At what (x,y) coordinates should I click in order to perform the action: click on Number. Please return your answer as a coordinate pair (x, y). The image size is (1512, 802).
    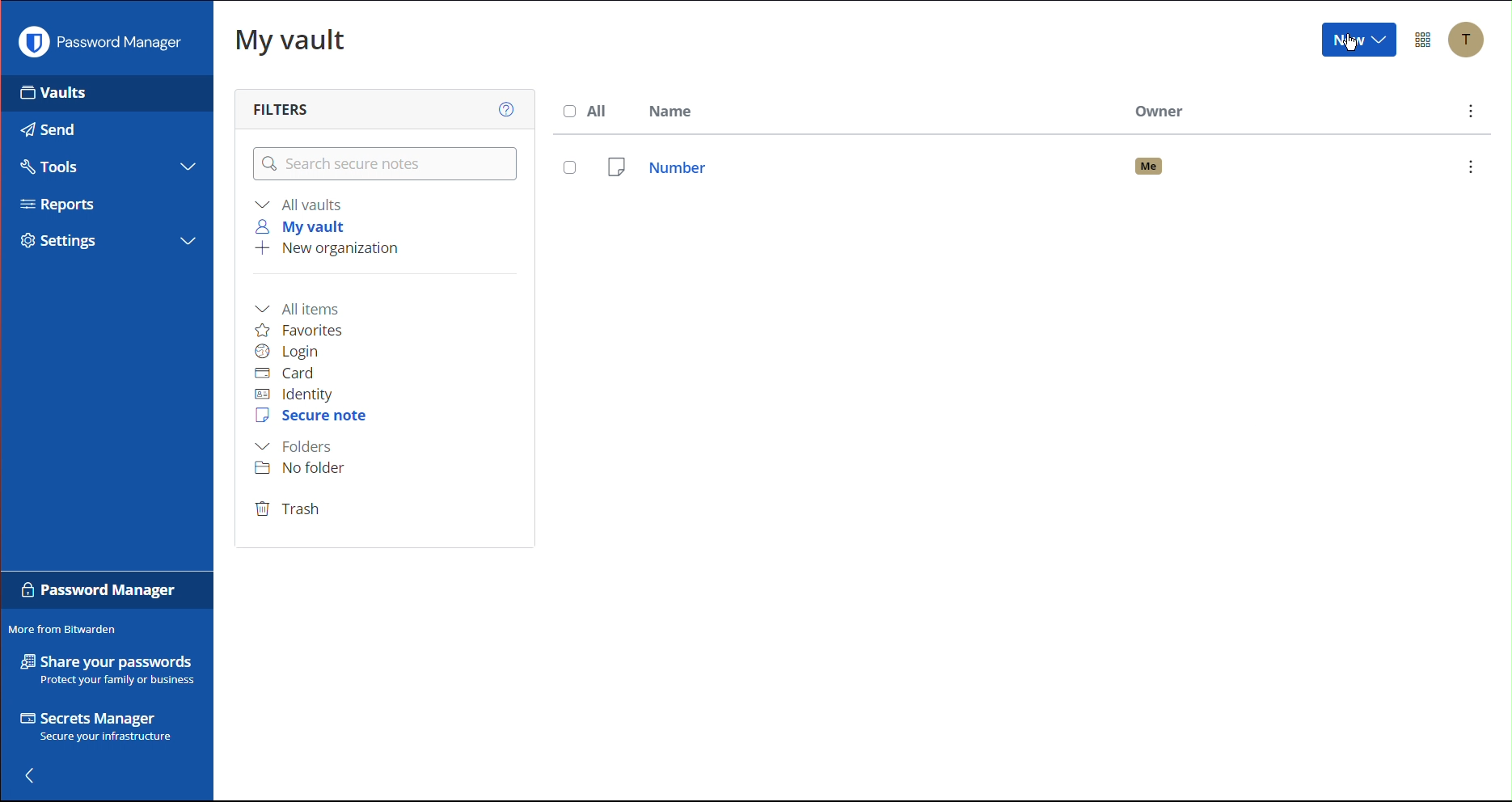
    Looking at the image, I should click on (1051, 167).